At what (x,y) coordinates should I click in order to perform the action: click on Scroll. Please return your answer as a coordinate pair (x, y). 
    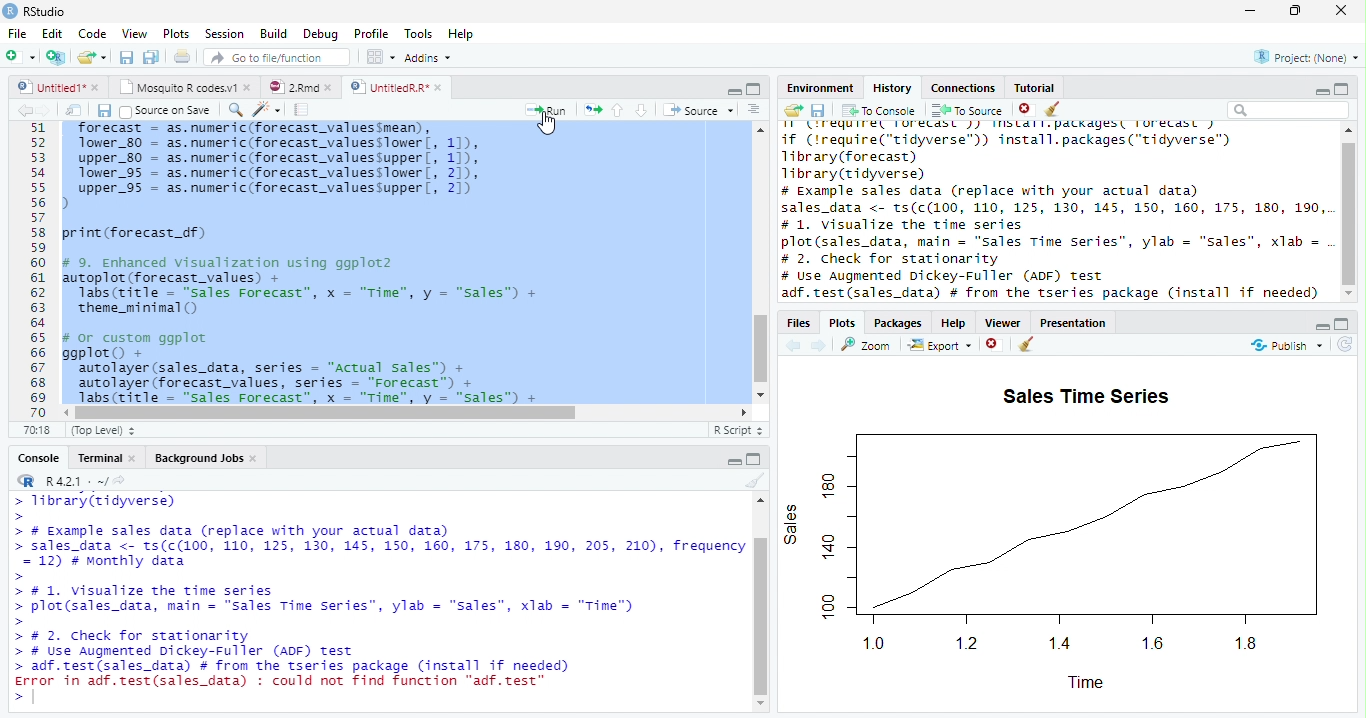
    Looking at the image, I should click on (1348, 212).